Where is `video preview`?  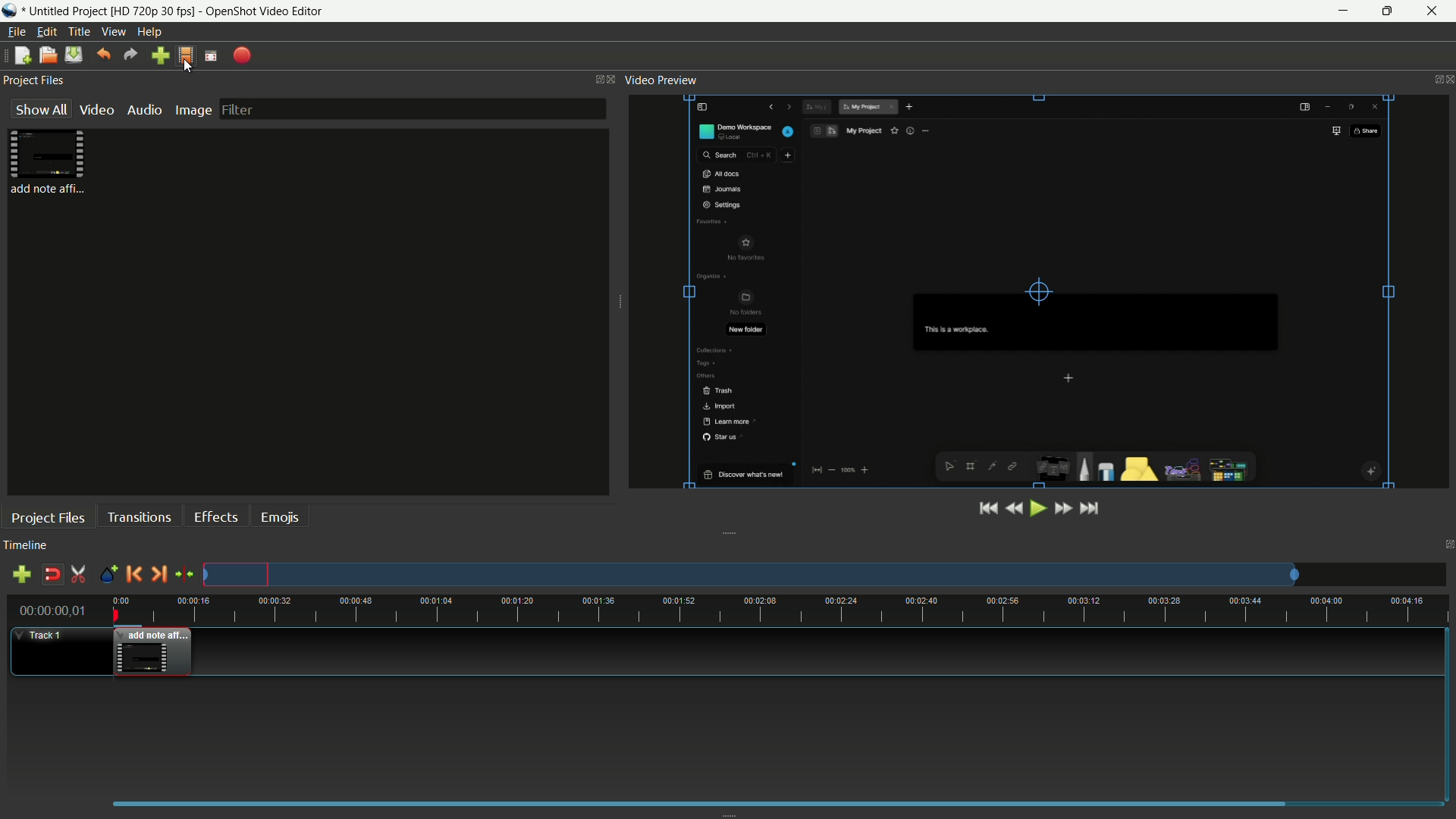 video preview is located at coordinates (662, 80).